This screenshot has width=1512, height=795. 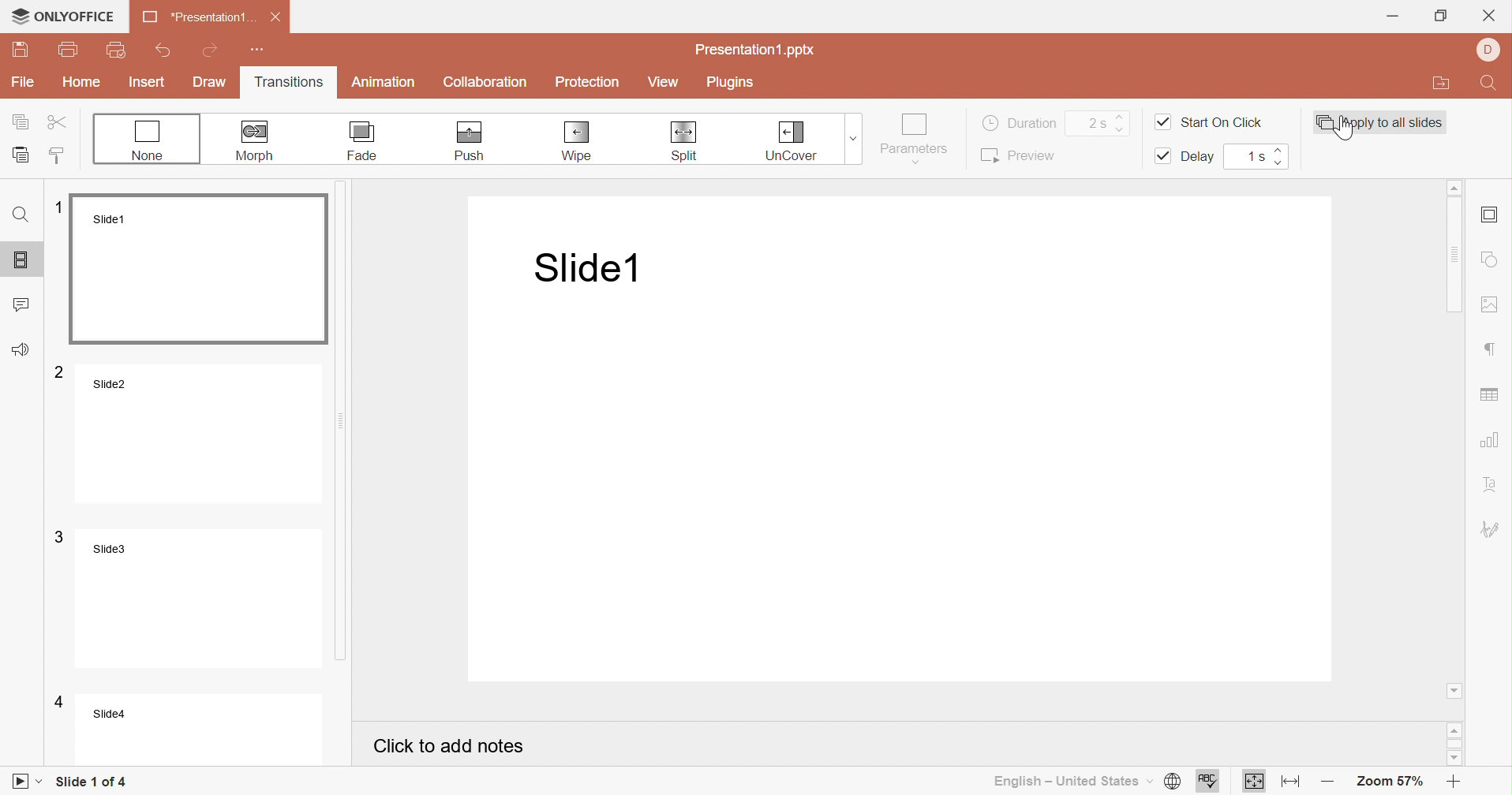 What do you see at coordinates (23, 83) in the screenshot?
I see `File` at bounding box center [23, 83].